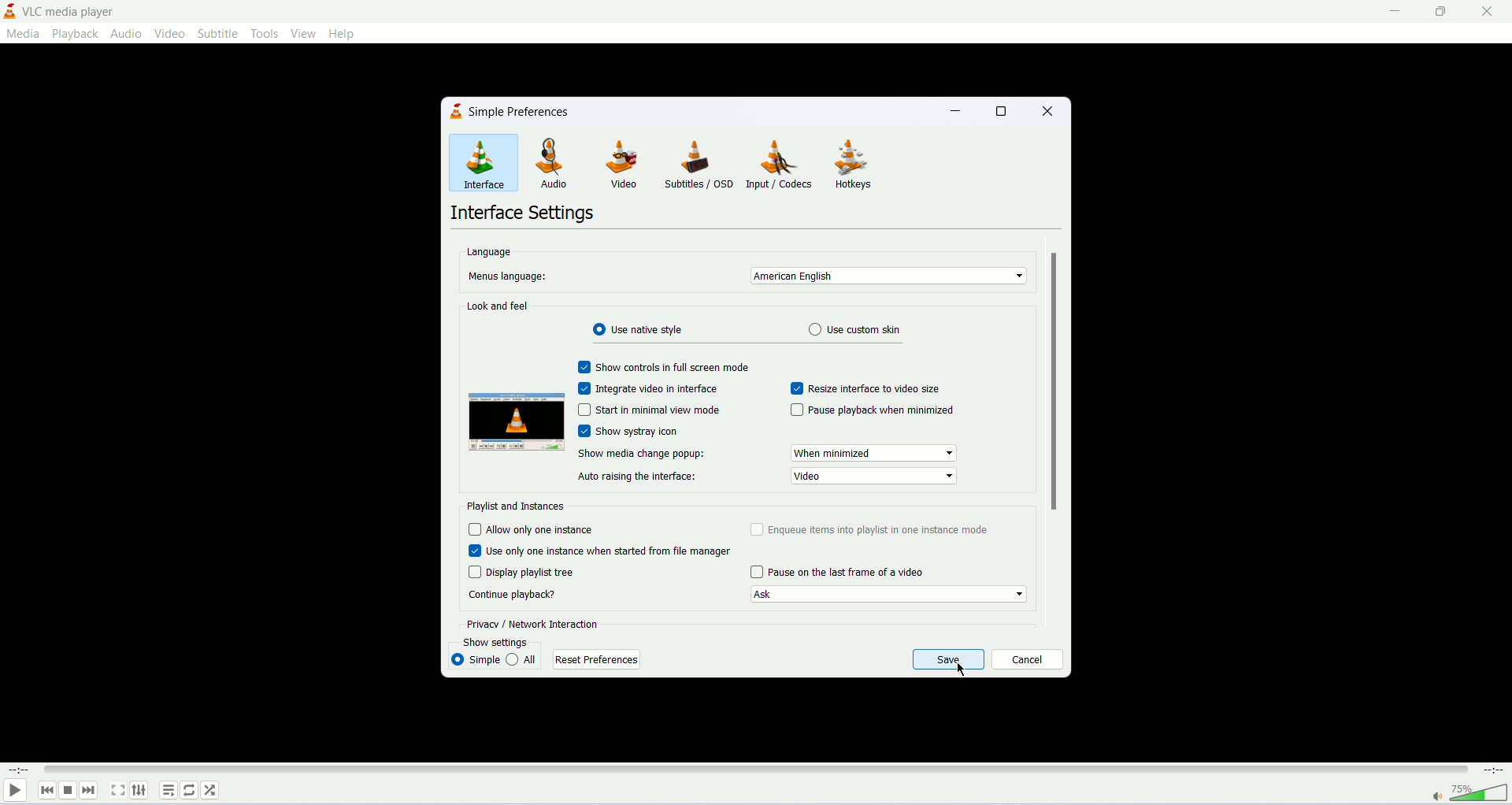 This screenshot has height=805, width=1512. I want to click on close, so click(1044, 109).